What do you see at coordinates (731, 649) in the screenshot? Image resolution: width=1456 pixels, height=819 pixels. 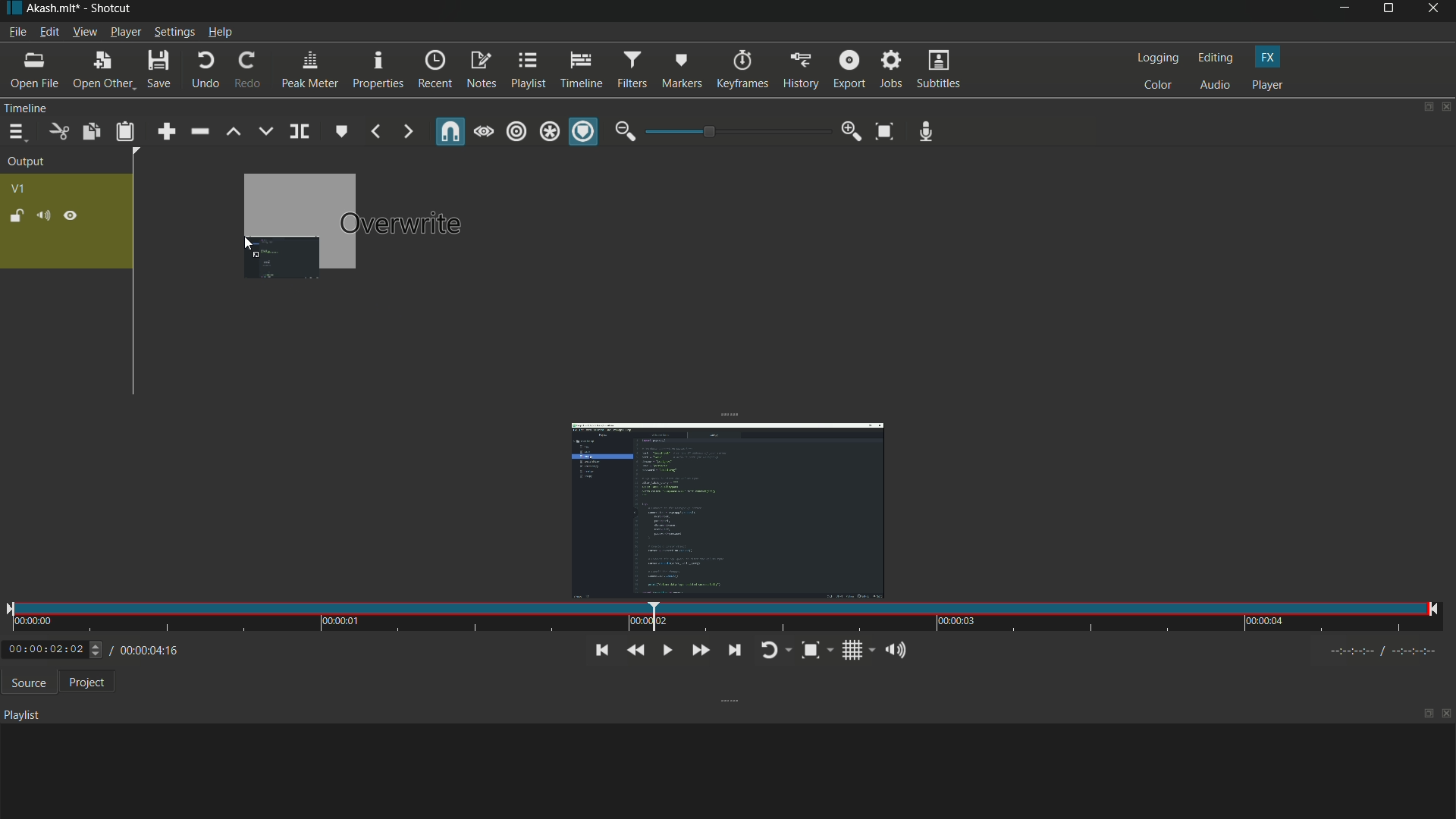 I see `skip to the next point` at bounding box center [731, 649].